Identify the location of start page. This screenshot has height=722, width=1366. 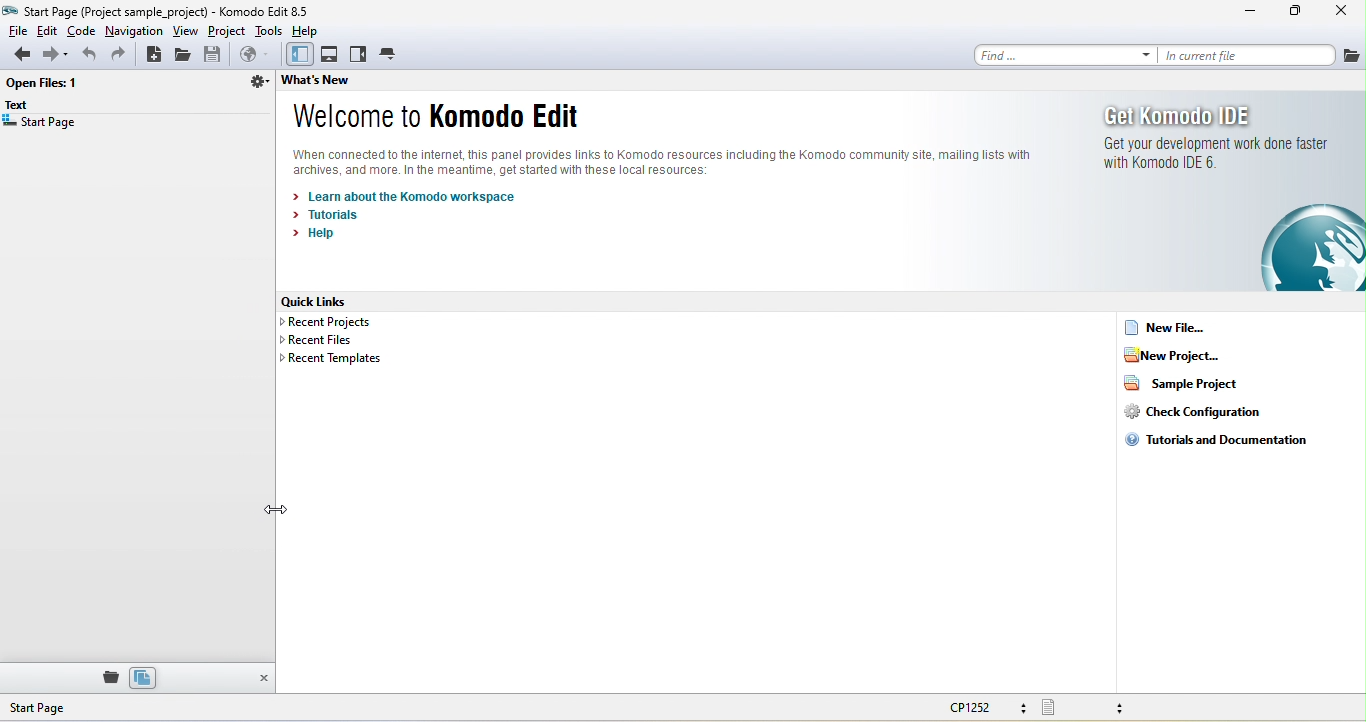
(41, 125).